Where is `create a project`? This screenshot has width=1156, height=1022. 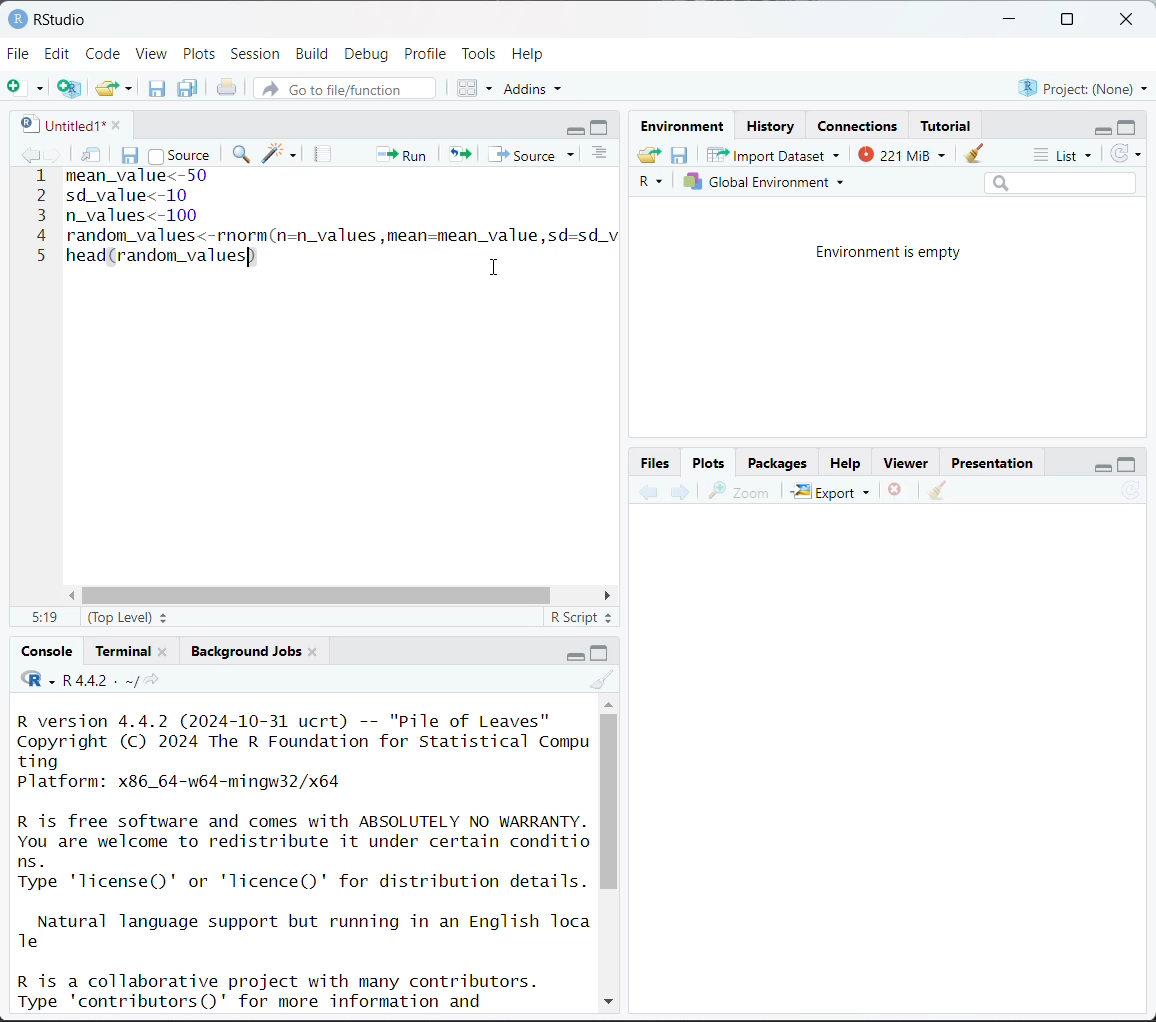
create a project is located at coordinates (69, 88).